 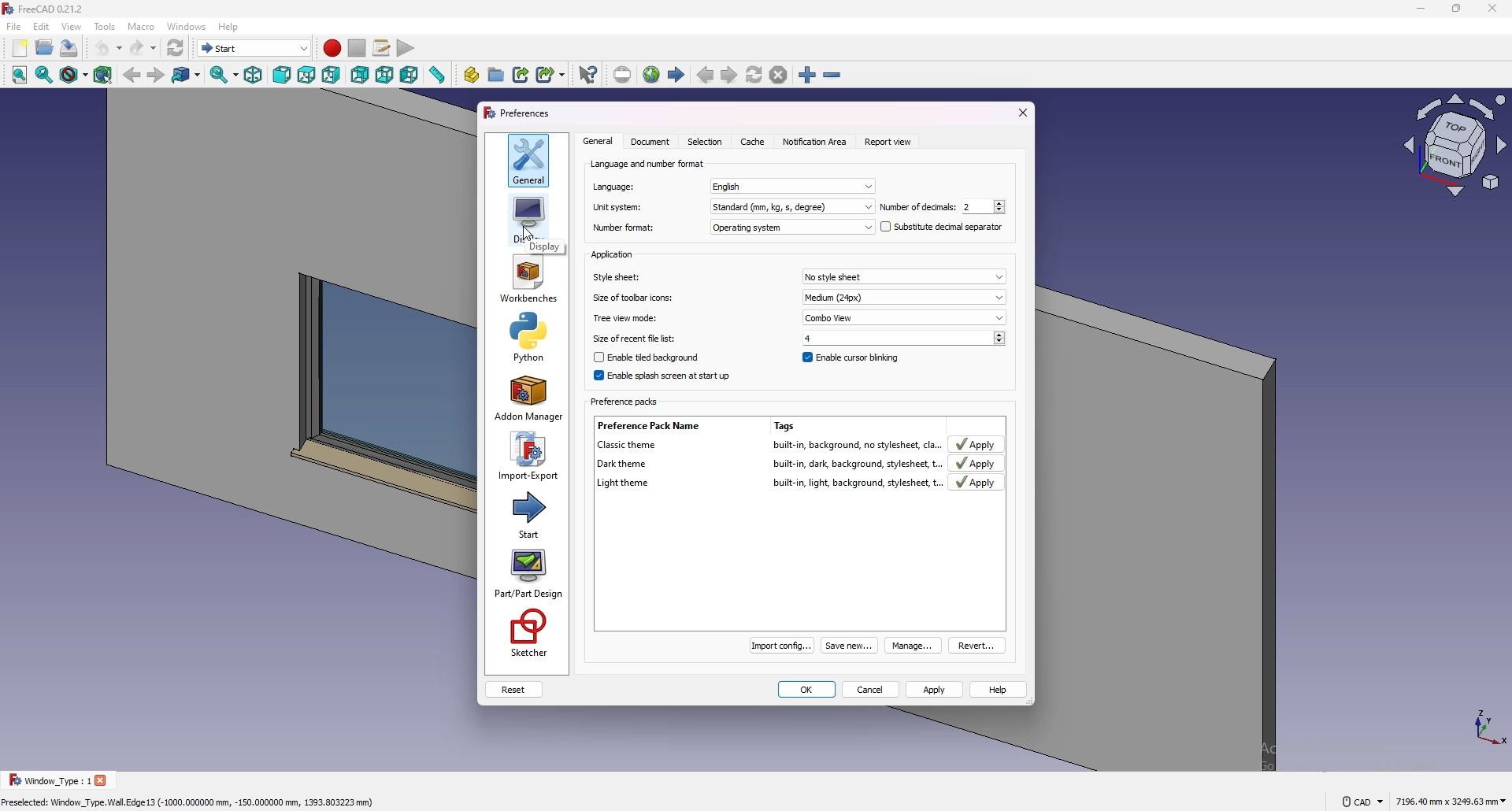 What do you see at coordinates (143, 48) in the screenshot?
I see `redo` at bounding box center [143, 48].